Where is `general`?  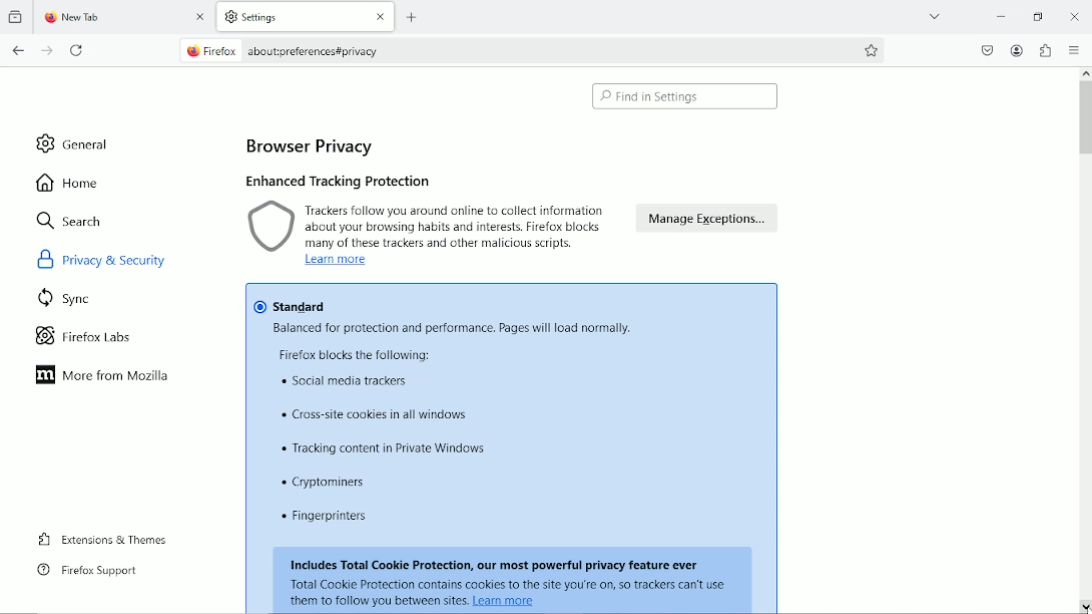 general is located at coordinates (75, 143).